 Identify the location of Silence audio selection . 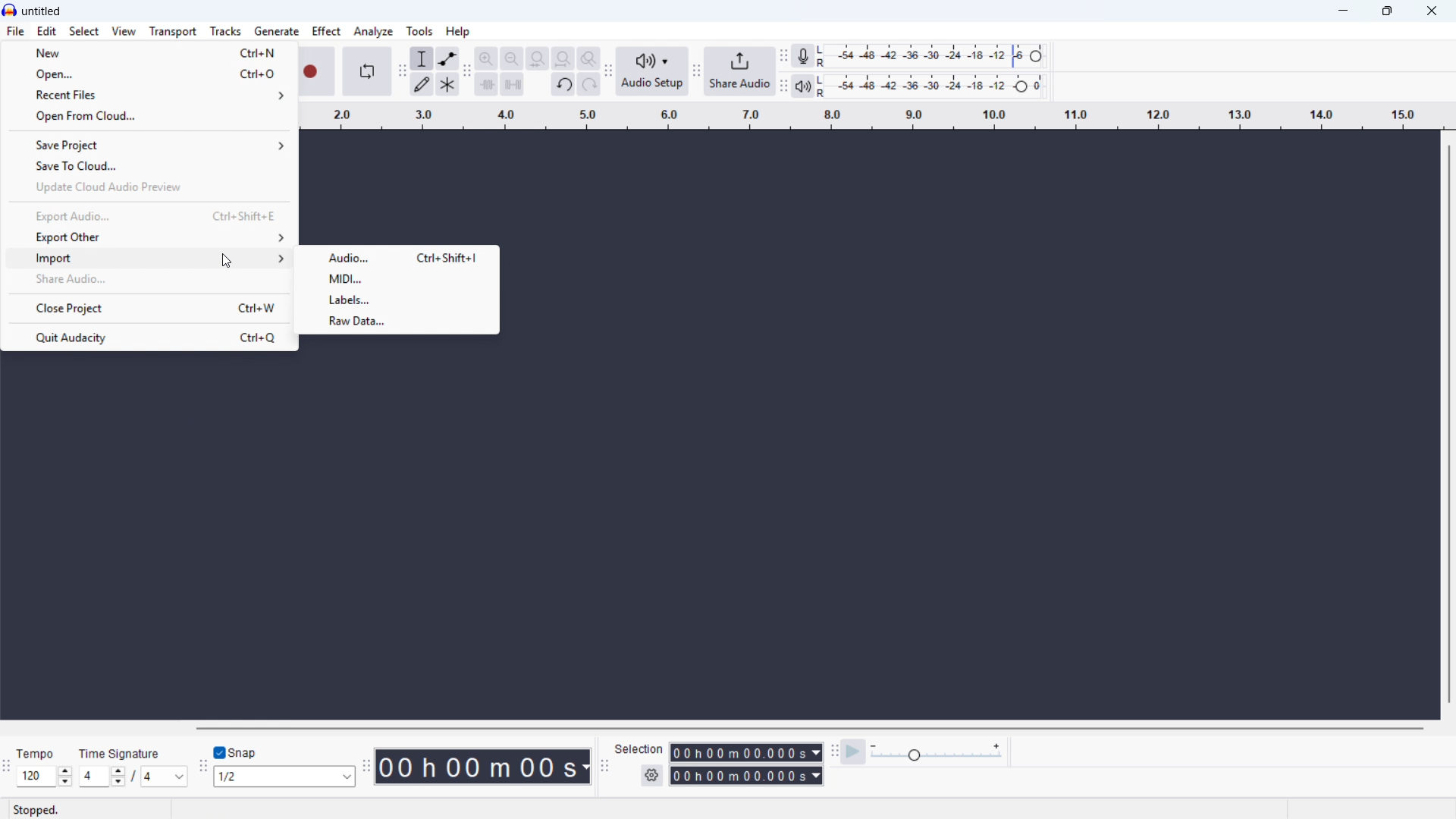
(513, 85).